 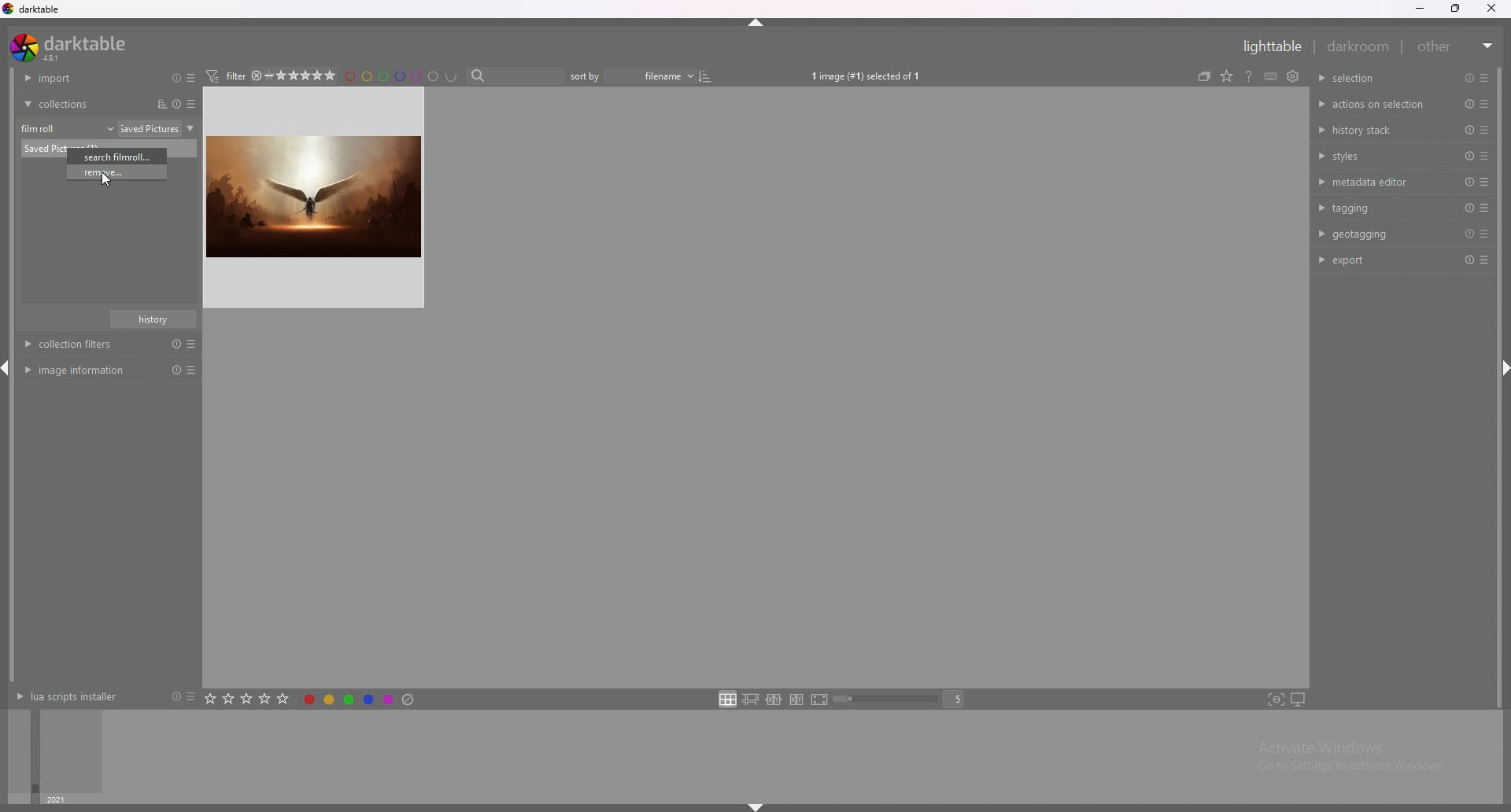 I want to click on darkroom, so click(x=1359, y=46).